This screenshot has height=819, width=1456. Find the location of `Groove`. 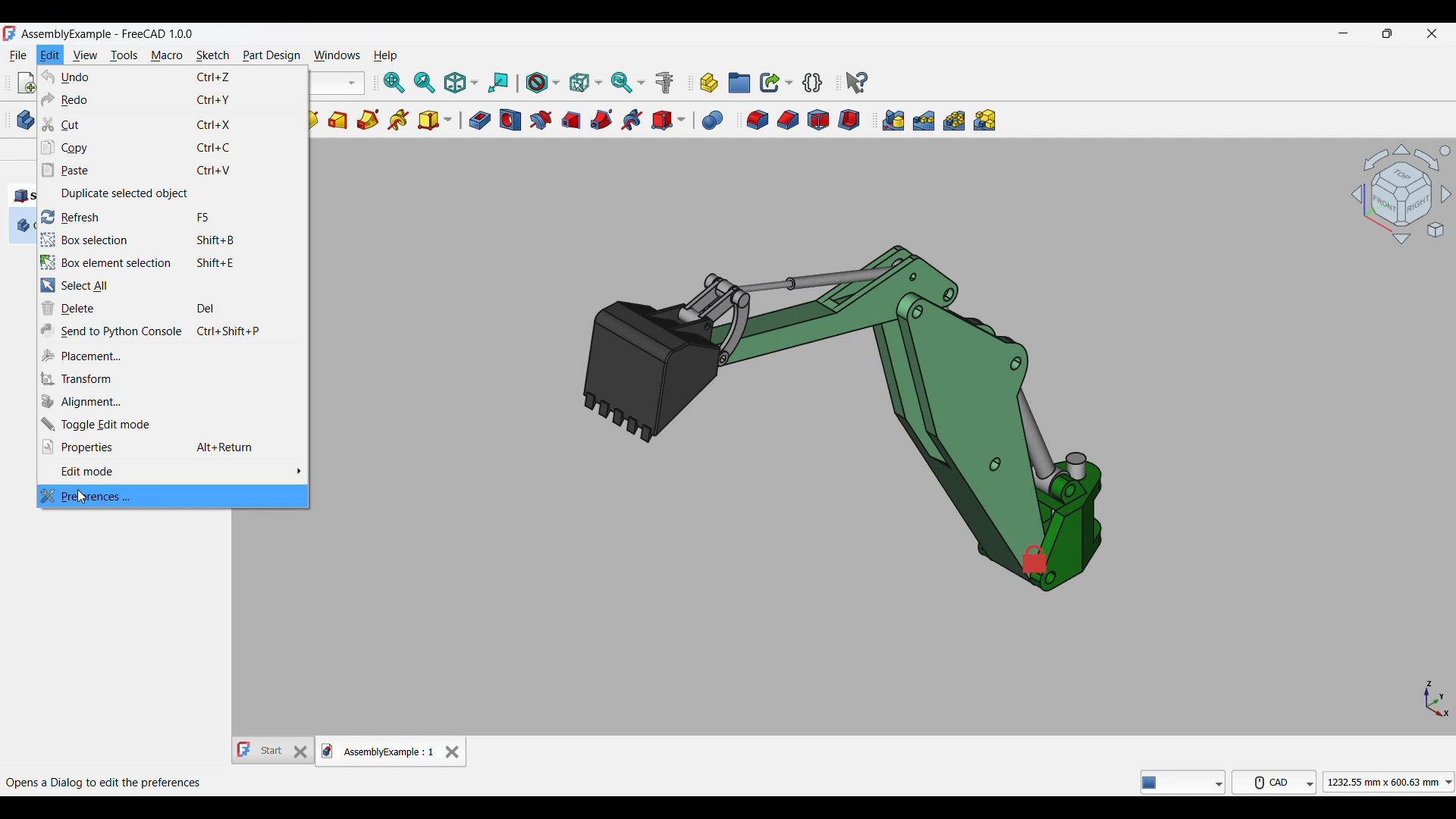

Groove is located at coordinates (540, 121).